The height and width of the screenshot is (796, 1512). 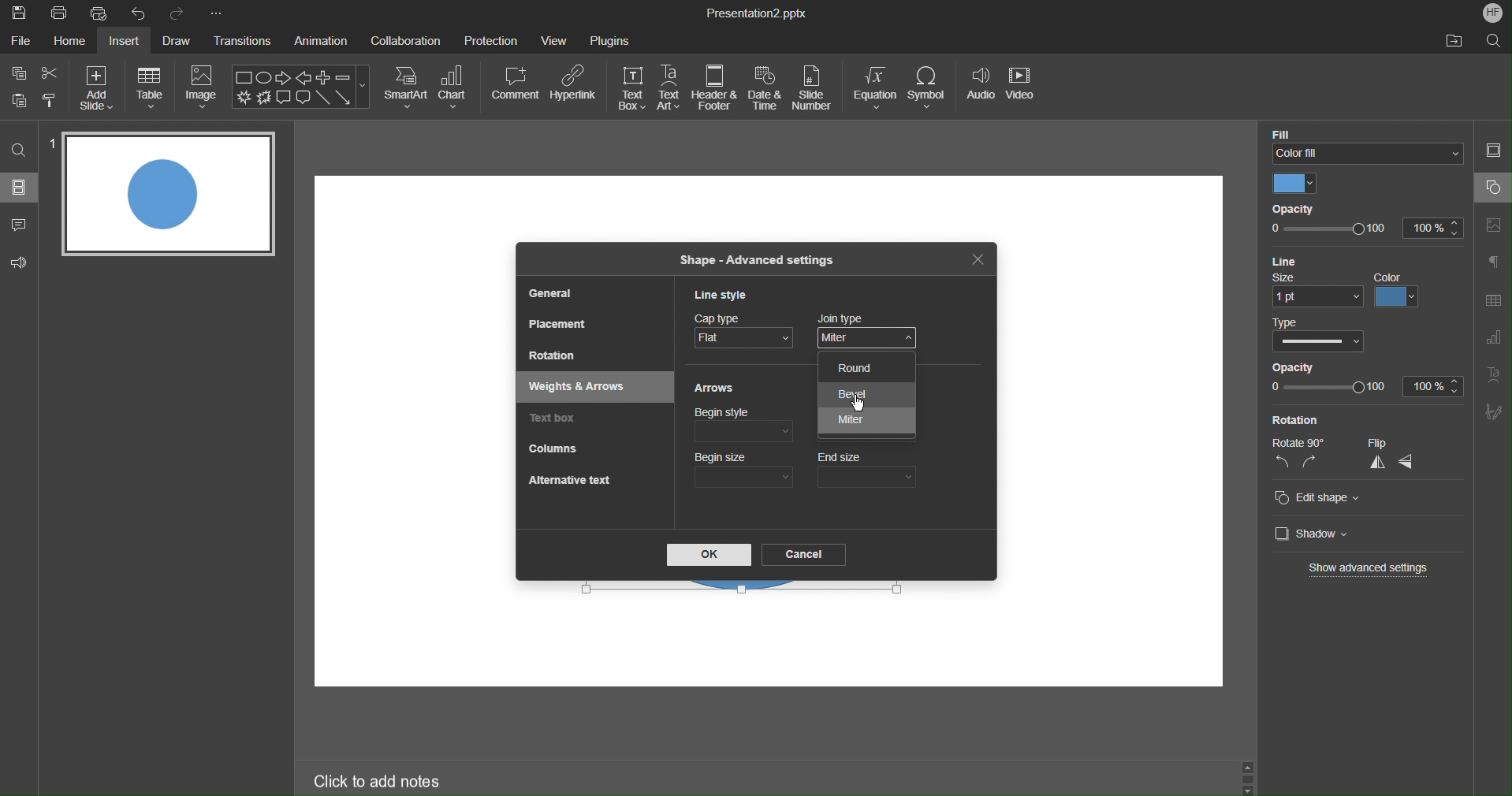 What do you see at coordinates (573, 84) in the screenshot?
I see `Hyperlink` at bounding box center [573, 84].